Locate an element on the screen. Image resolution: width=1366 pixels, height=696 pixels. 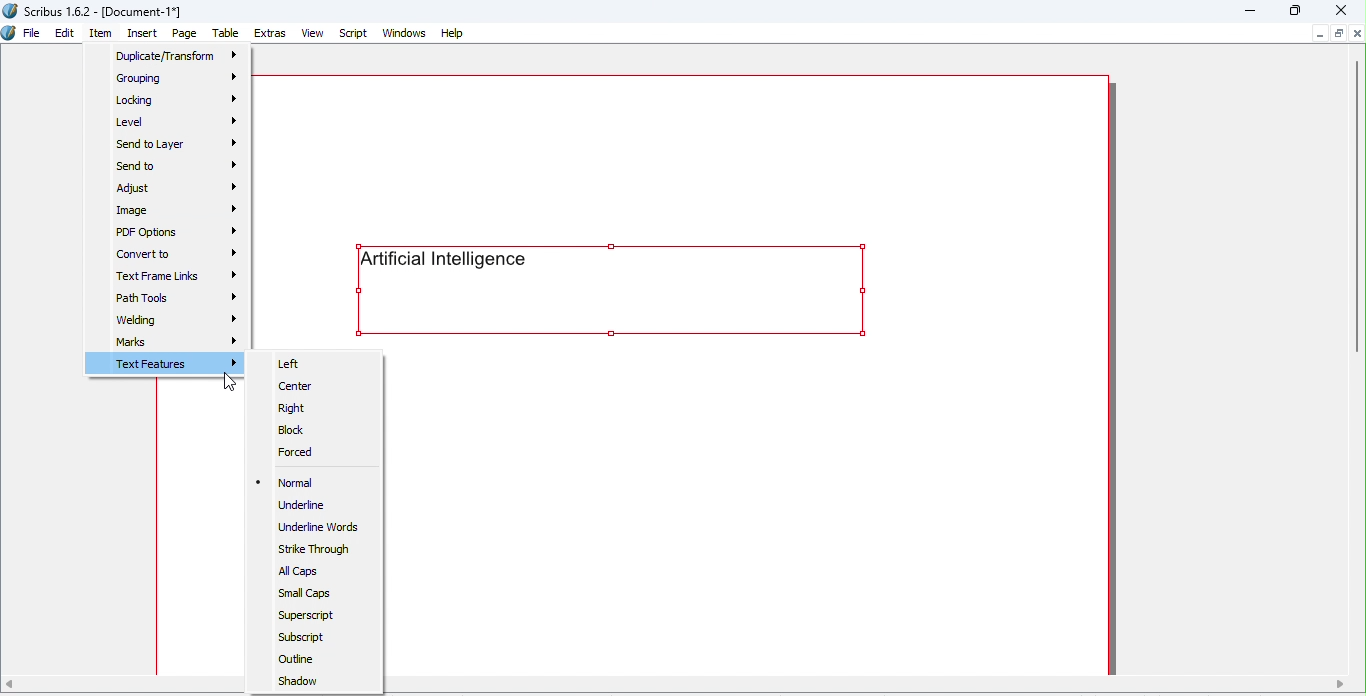
Subscript is located at coordinates (302, 639).